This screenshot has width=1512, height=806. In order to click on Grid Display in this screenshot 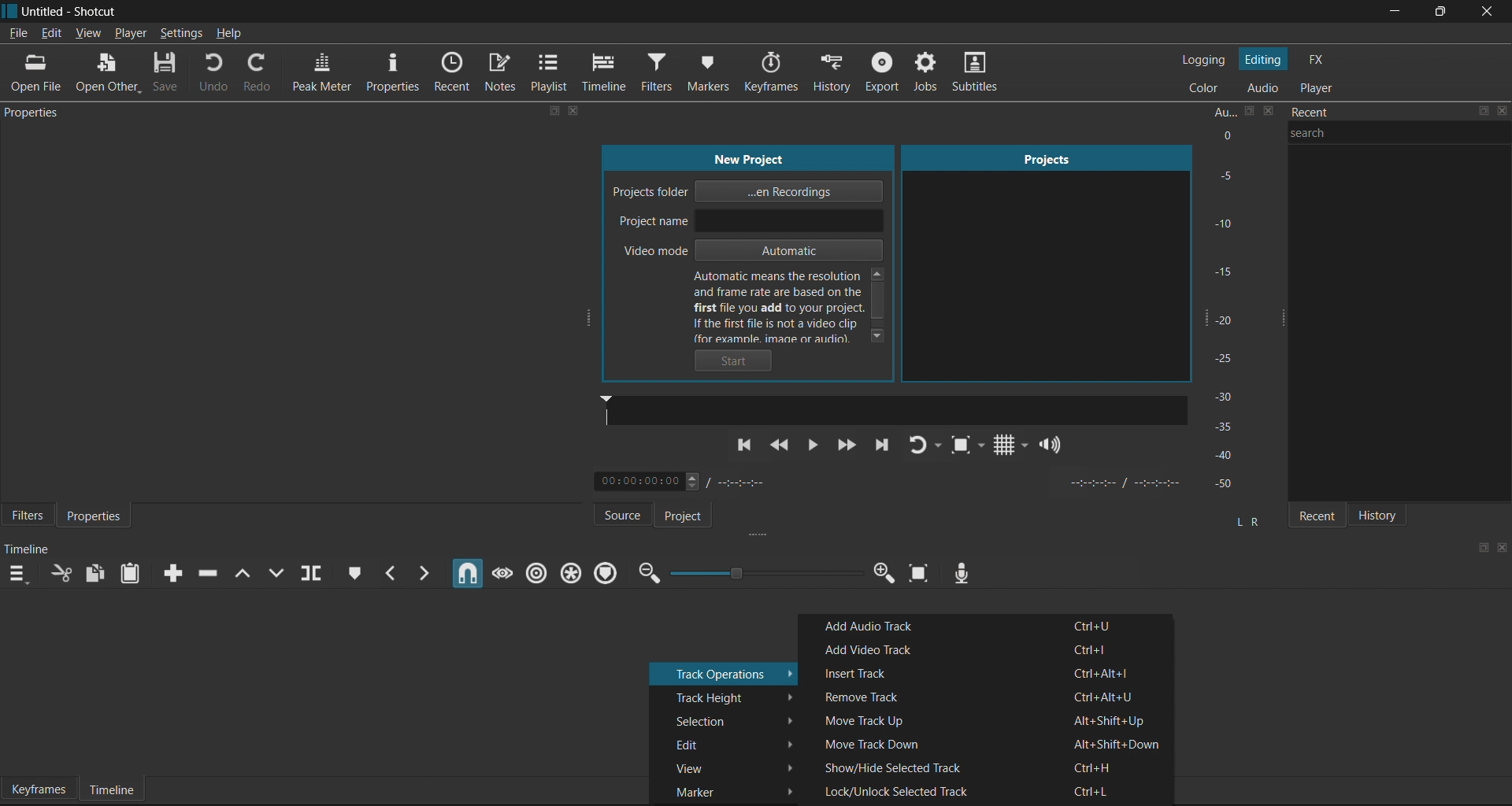, I will do `click(1006, 447)`.